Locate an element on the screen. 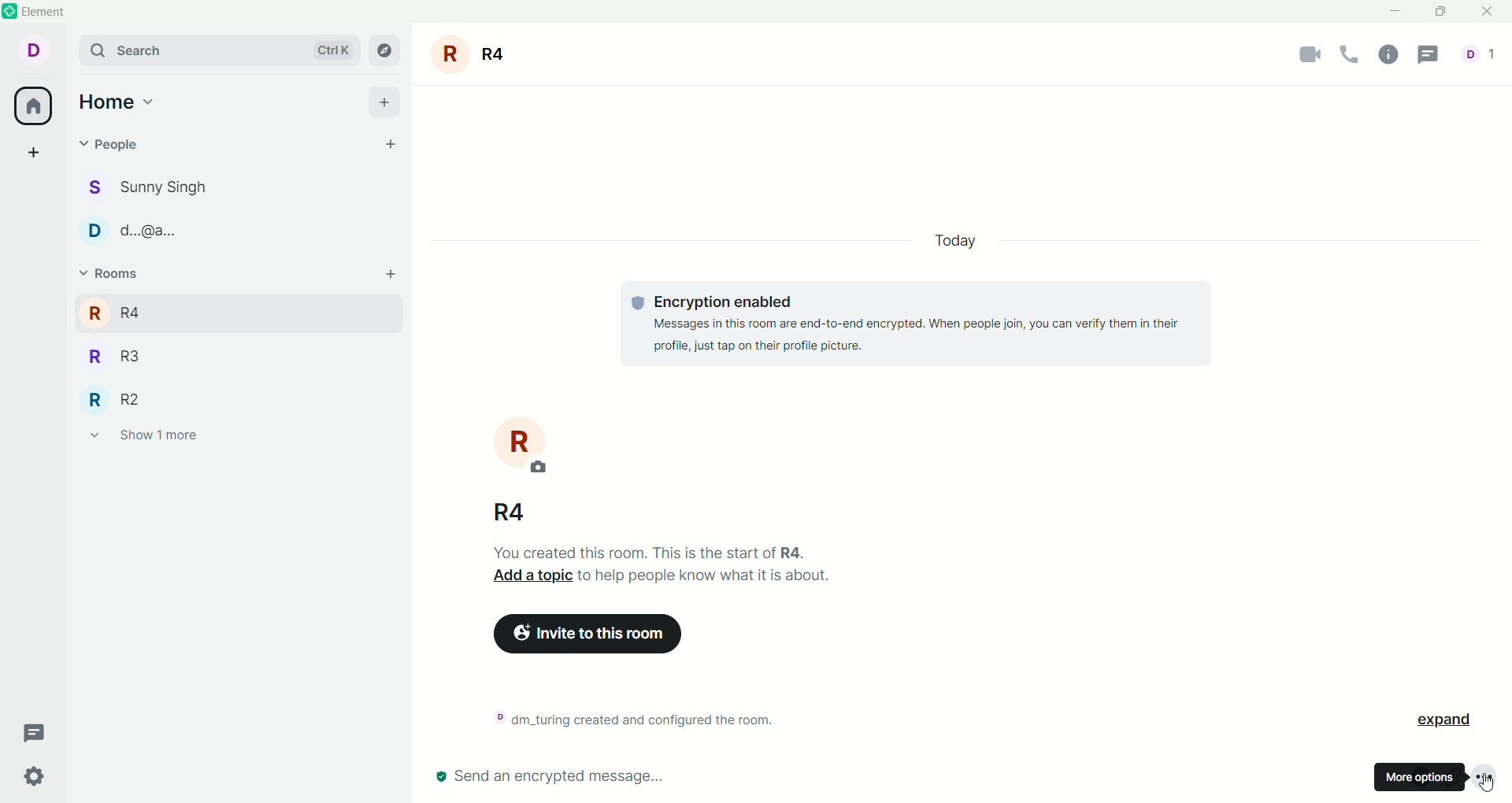  room name is located at coordinates (476, 54).